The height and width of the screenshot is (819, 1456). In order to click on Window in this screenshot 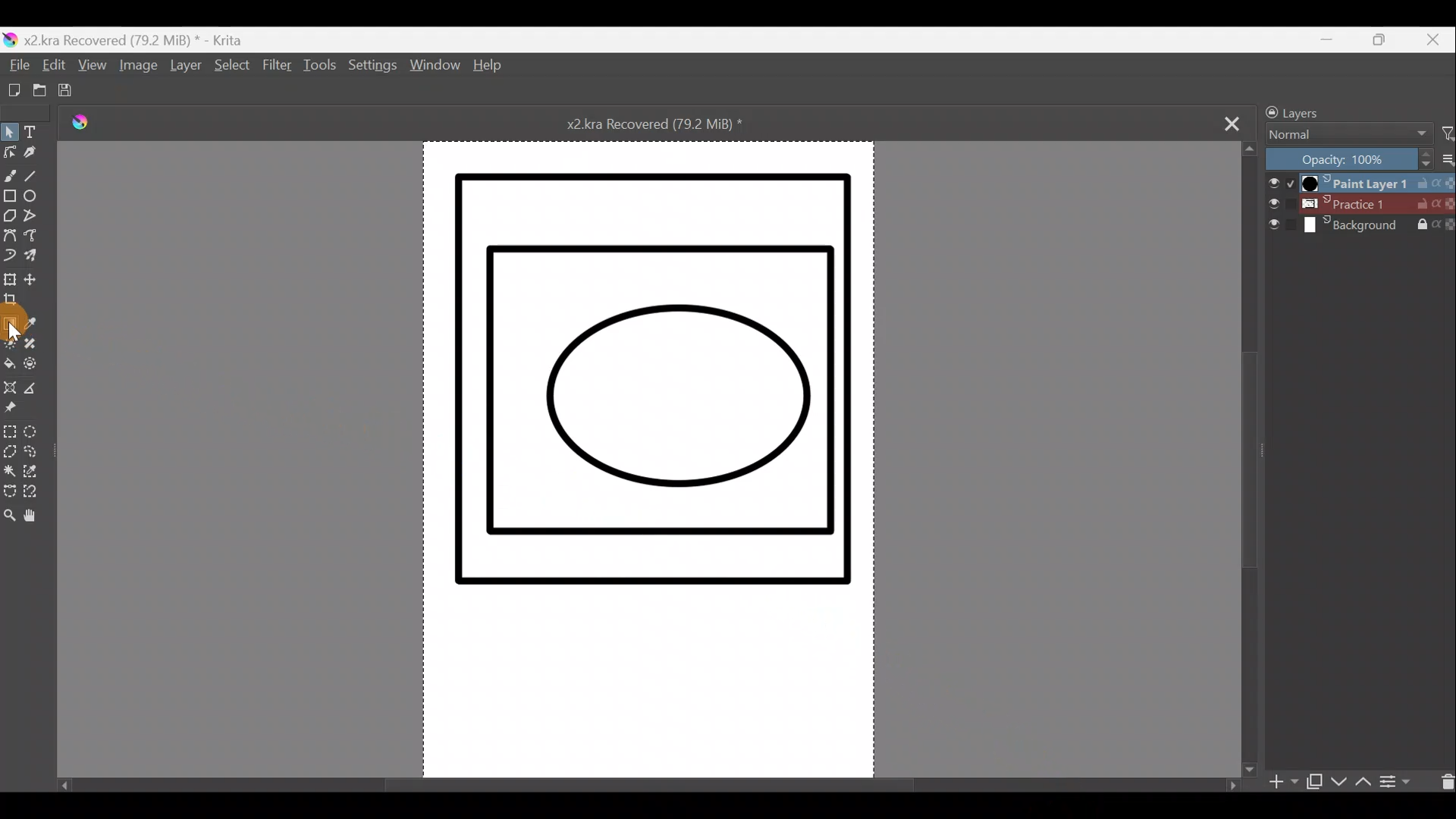, I will do `click(435, 68)`.